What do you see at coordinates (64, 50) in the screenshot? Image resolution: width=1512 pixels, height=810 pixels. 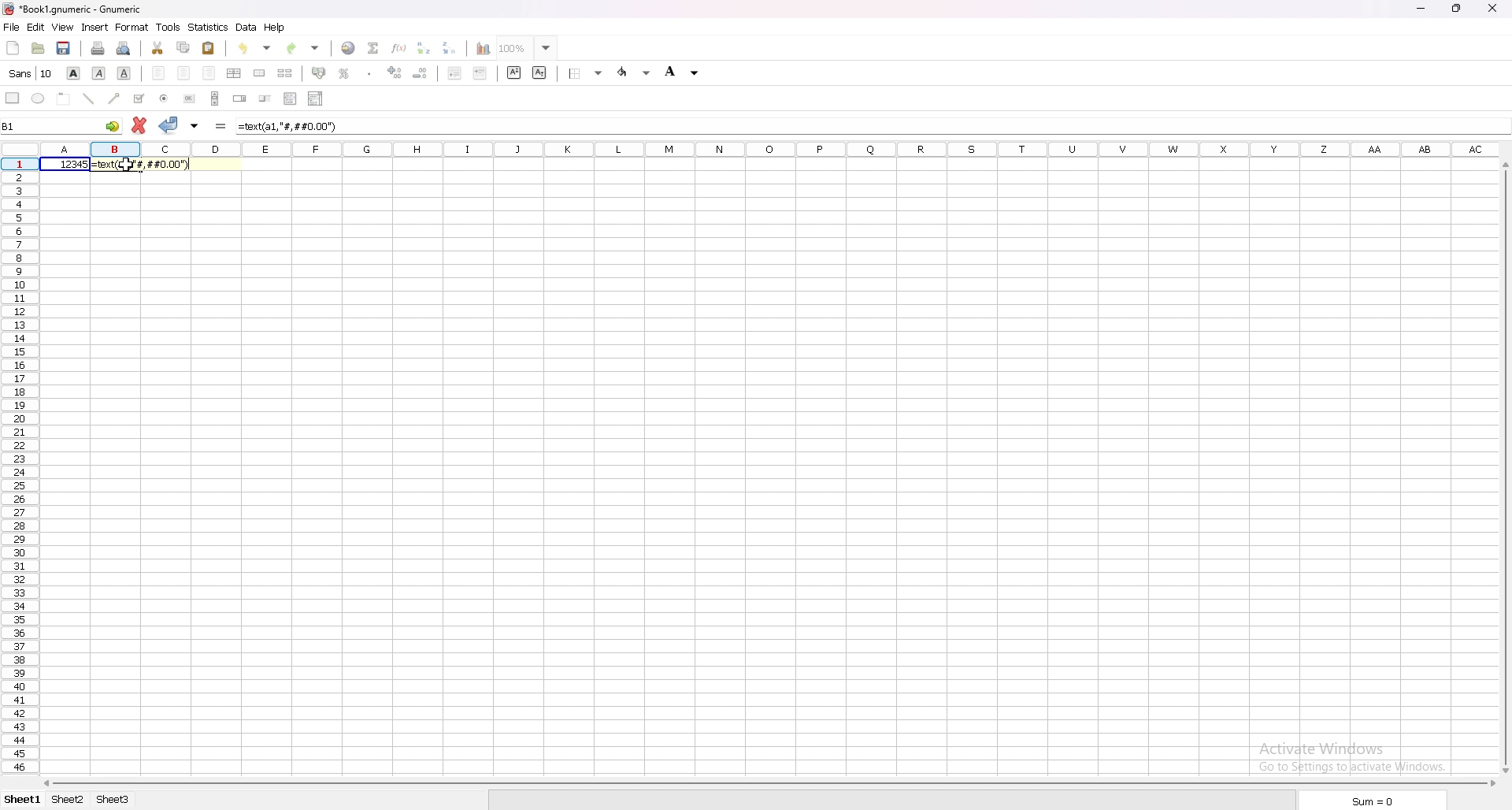 I see `save` at bounding box center [64, 50].